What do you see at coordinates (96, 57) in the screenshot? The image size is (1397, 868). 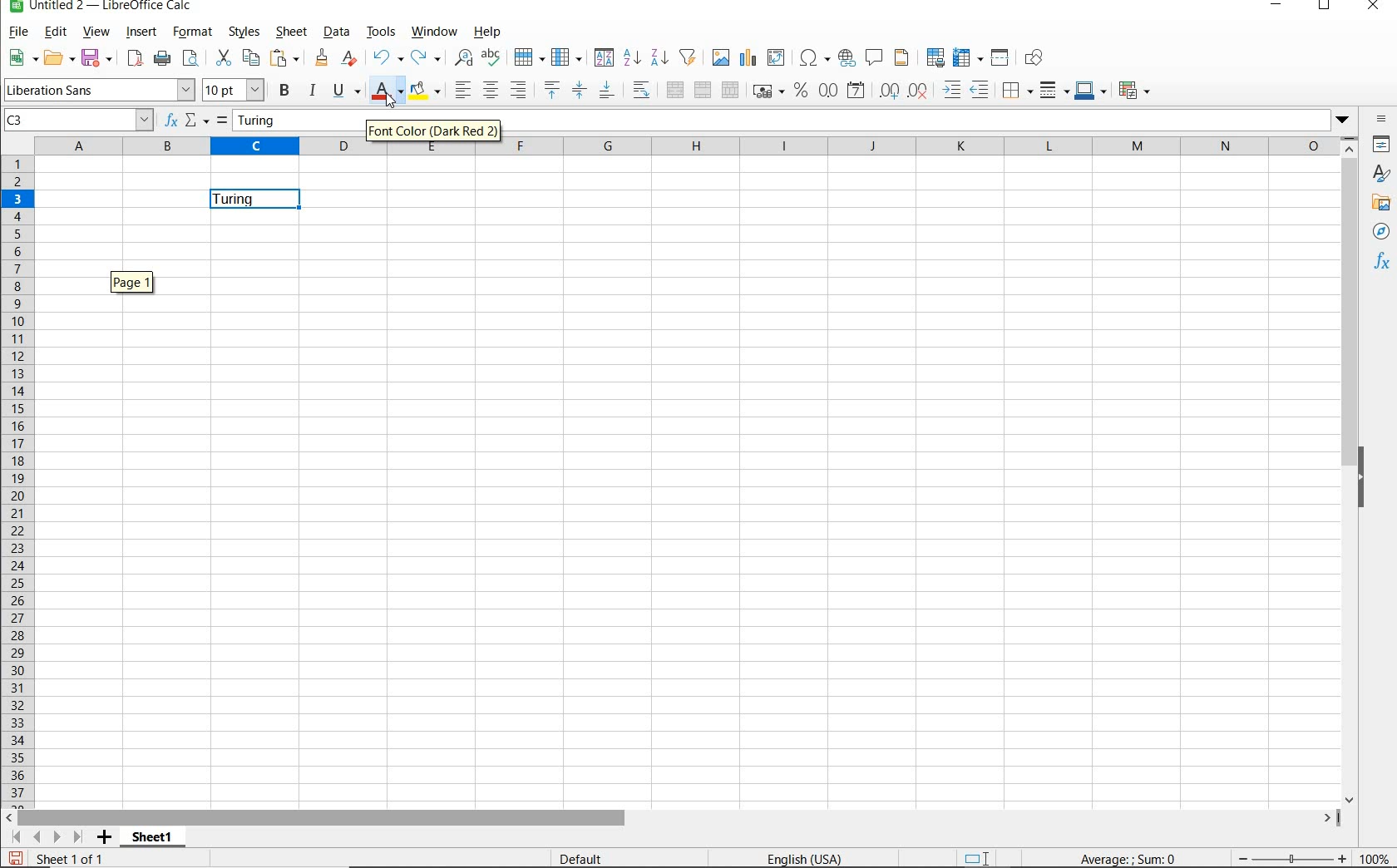 I see `SAVE` at bounding box center [96, 57].